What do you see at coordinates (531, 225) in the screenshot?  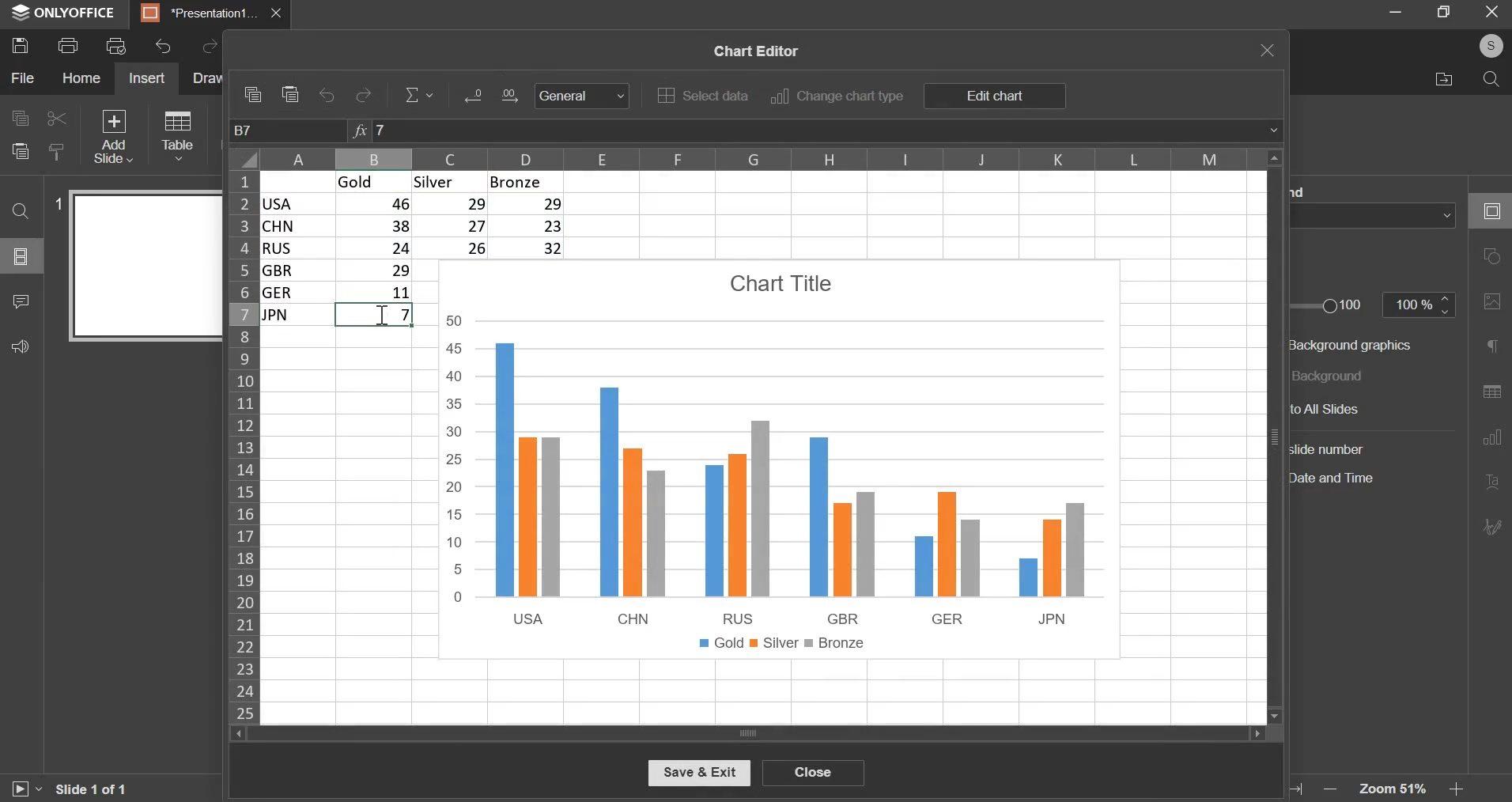 I see `23` at bounding box center [531, 225].